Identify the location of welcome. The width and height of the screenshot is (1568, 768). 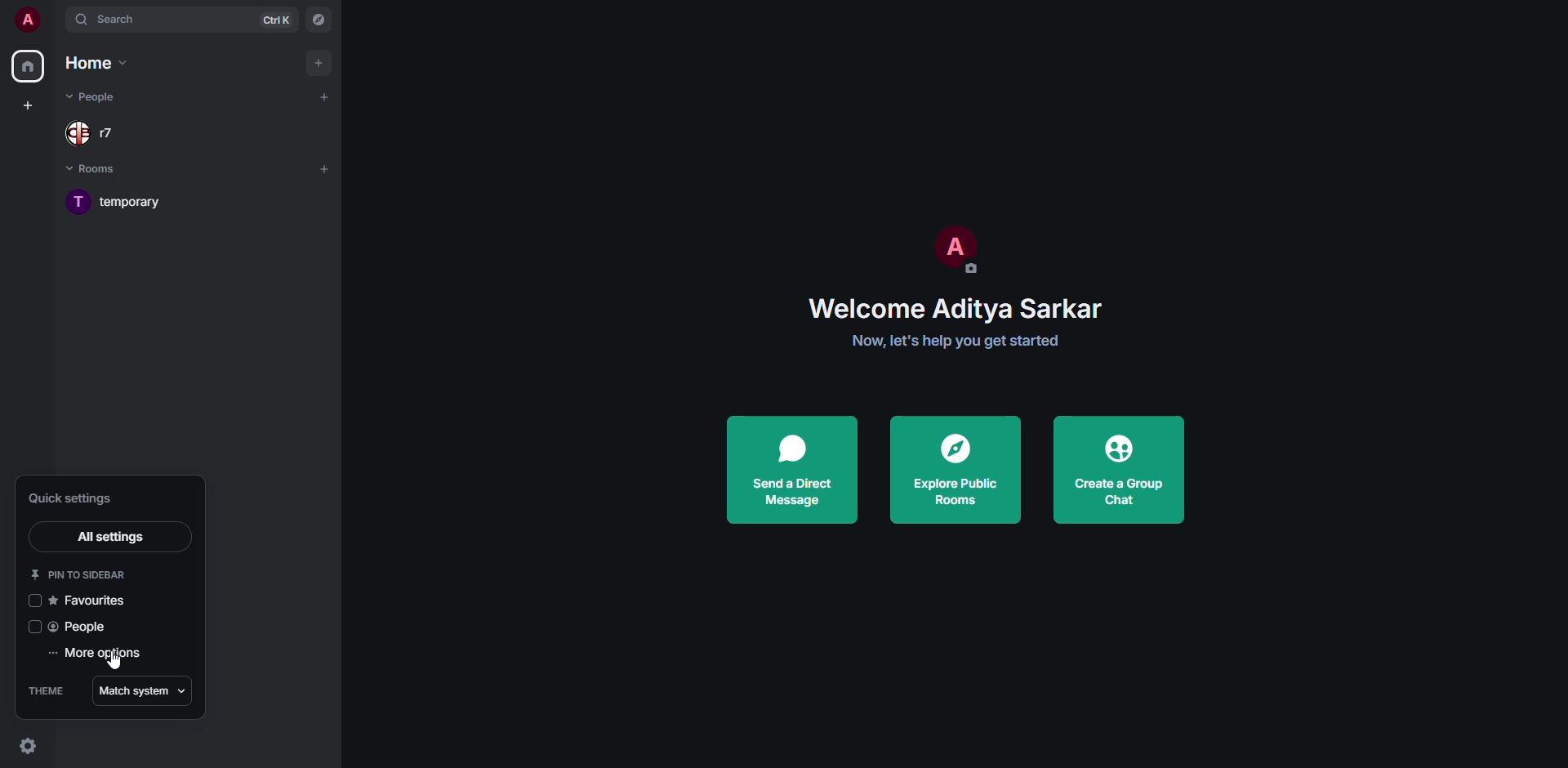
(958, 309).